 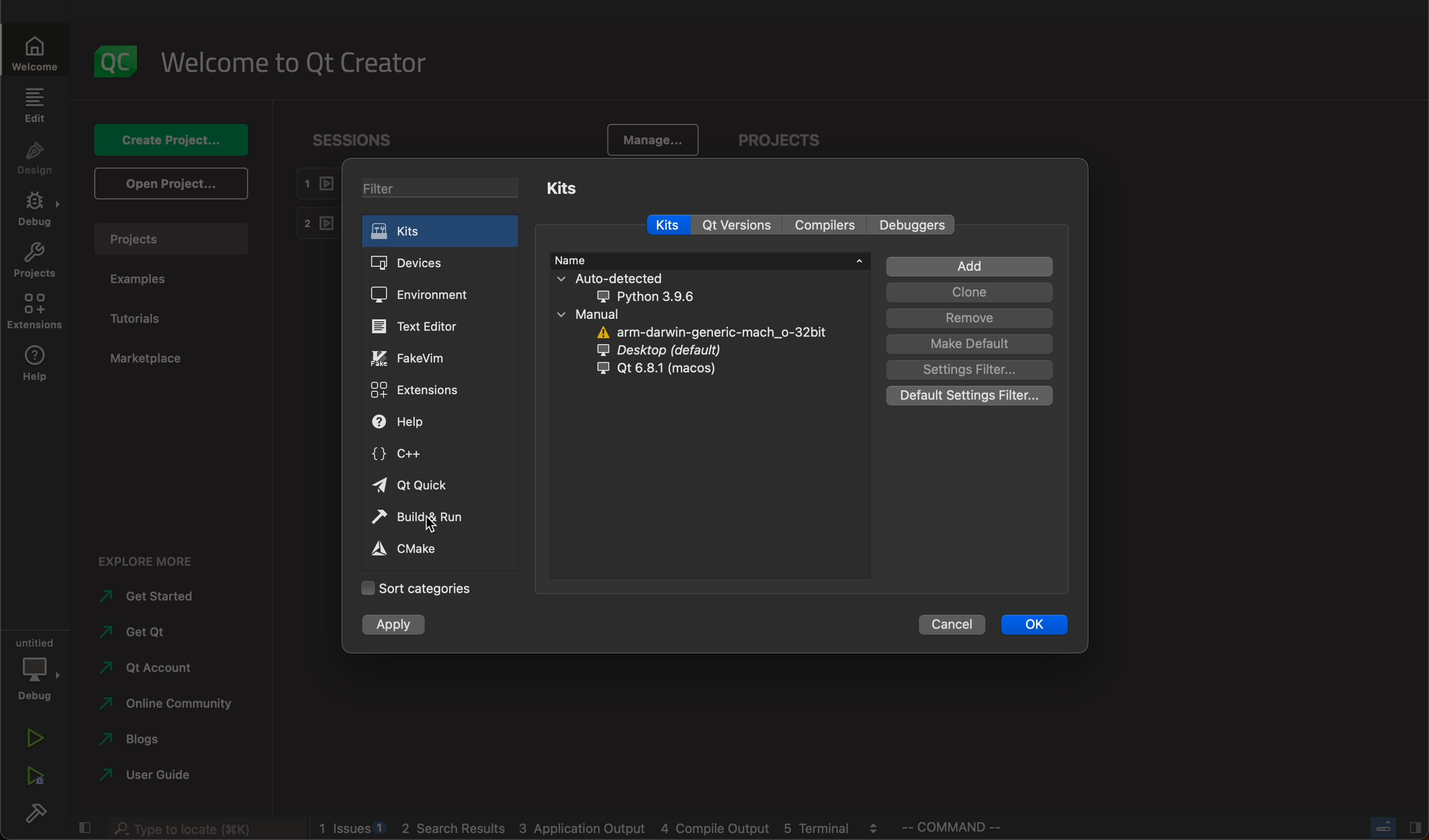 What do you see at coordinates (392, 625) in the screenshot?
I see `apply` at bounding box center [392, 625].